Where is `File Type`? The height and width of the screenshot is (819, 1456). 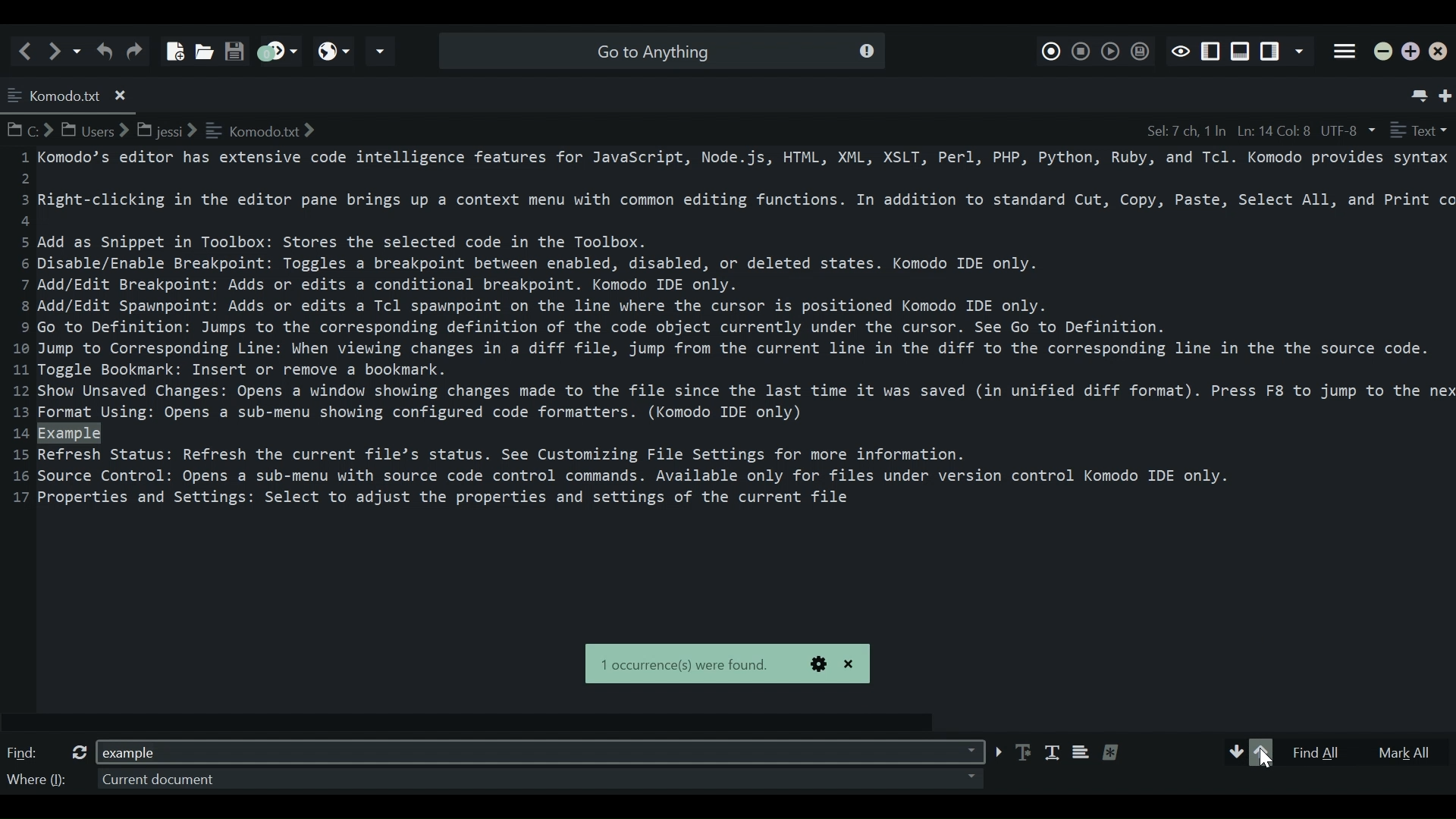
File Type is located at coordinates (1419, 130).